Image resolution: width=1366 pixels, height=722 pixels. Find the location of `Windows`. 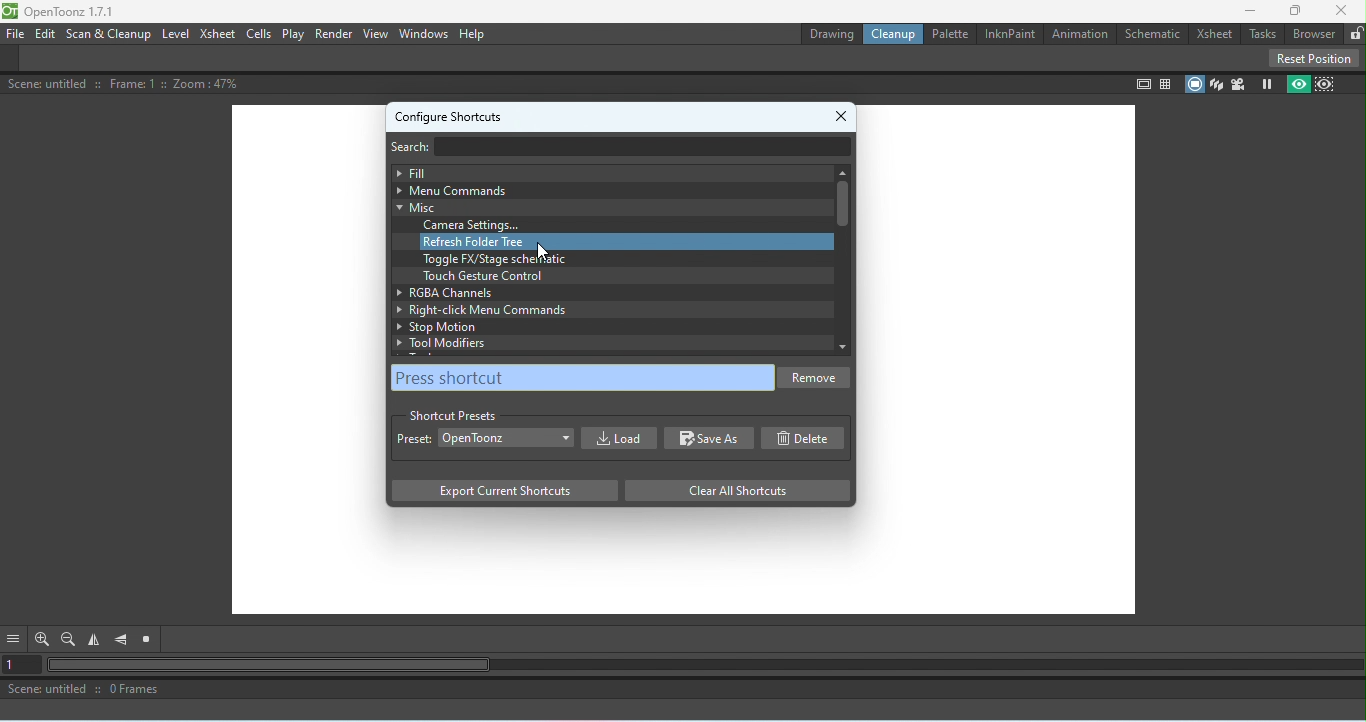

Windows is located at coordinates (424, 33).